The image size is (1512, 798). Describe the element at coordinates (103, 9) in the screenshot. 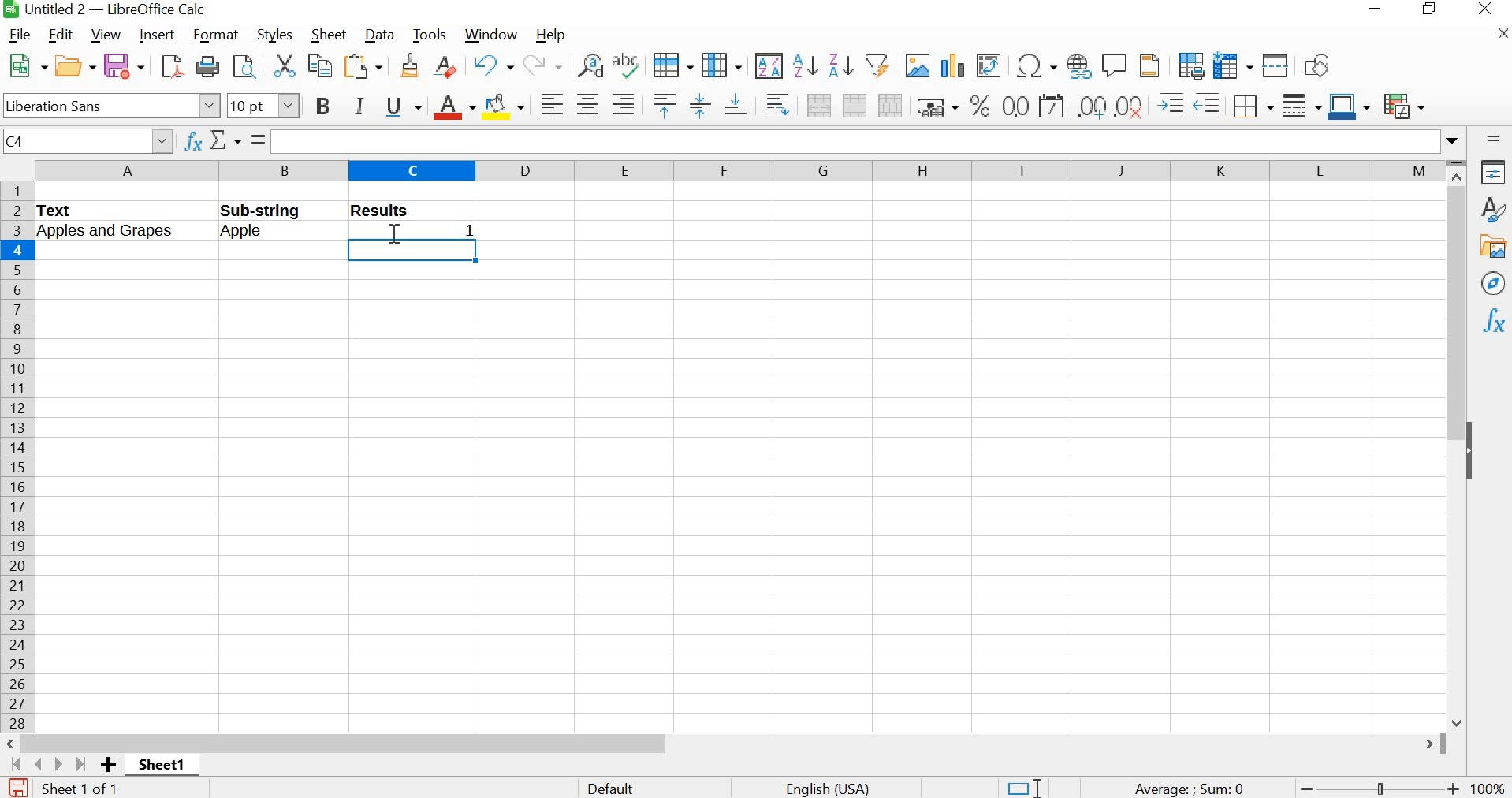

I see `file name` at that location.